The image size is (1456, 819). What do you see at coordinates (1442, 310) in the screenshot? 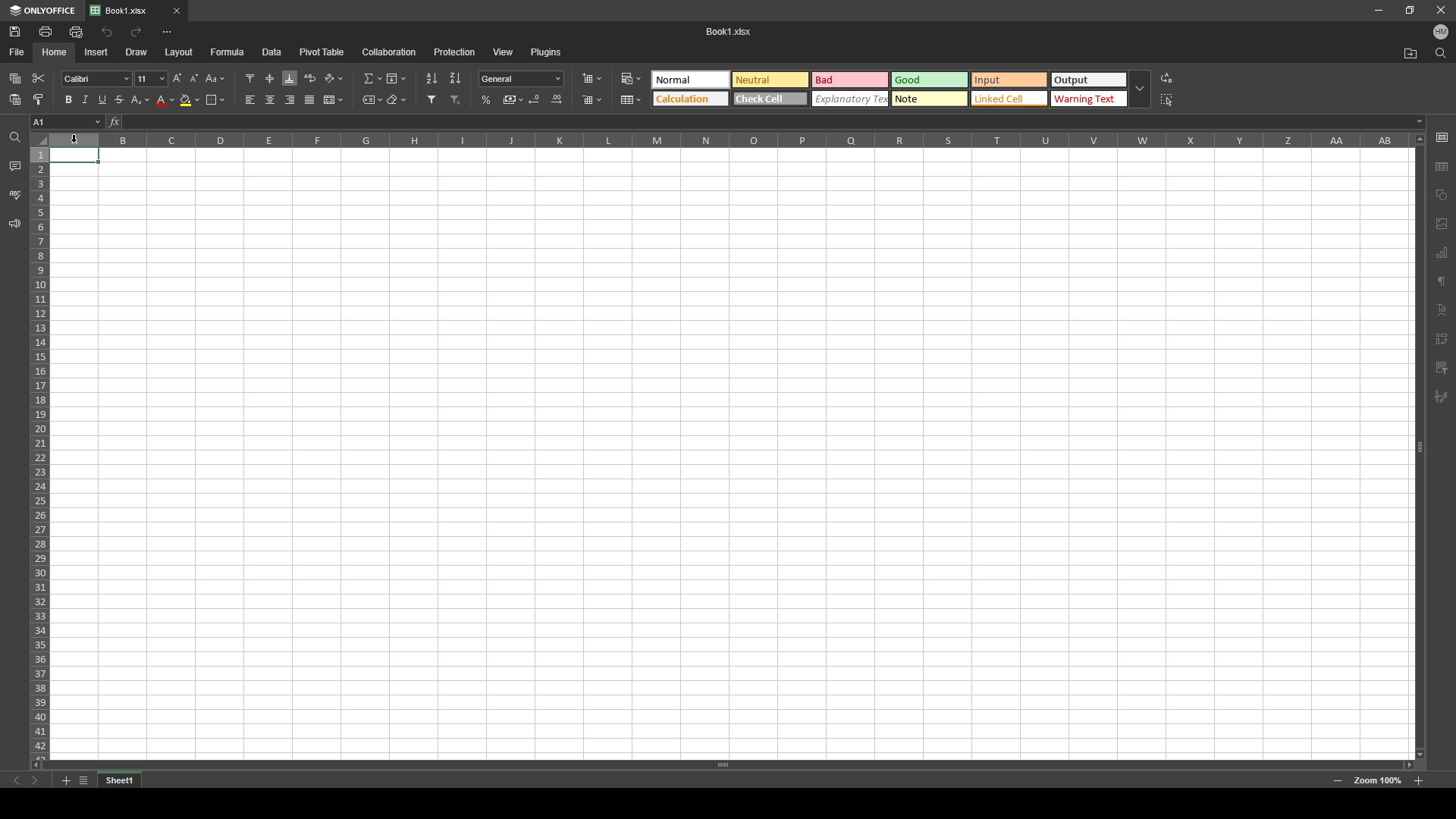
I see `text alignment` at bounding box center [1442, 310].